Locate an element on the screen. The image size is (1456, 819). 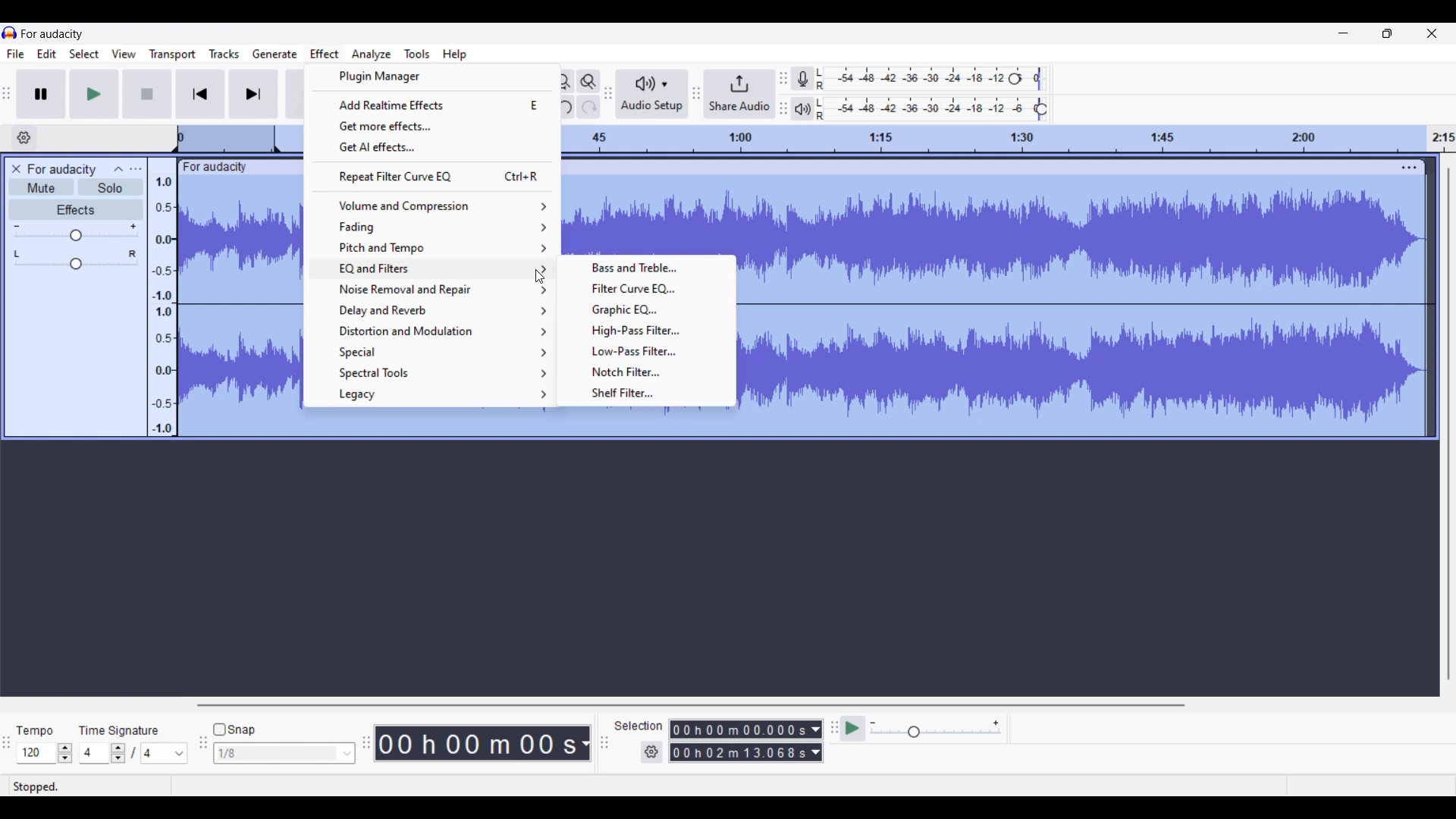
Change gain is located at coordinates (76, 236).